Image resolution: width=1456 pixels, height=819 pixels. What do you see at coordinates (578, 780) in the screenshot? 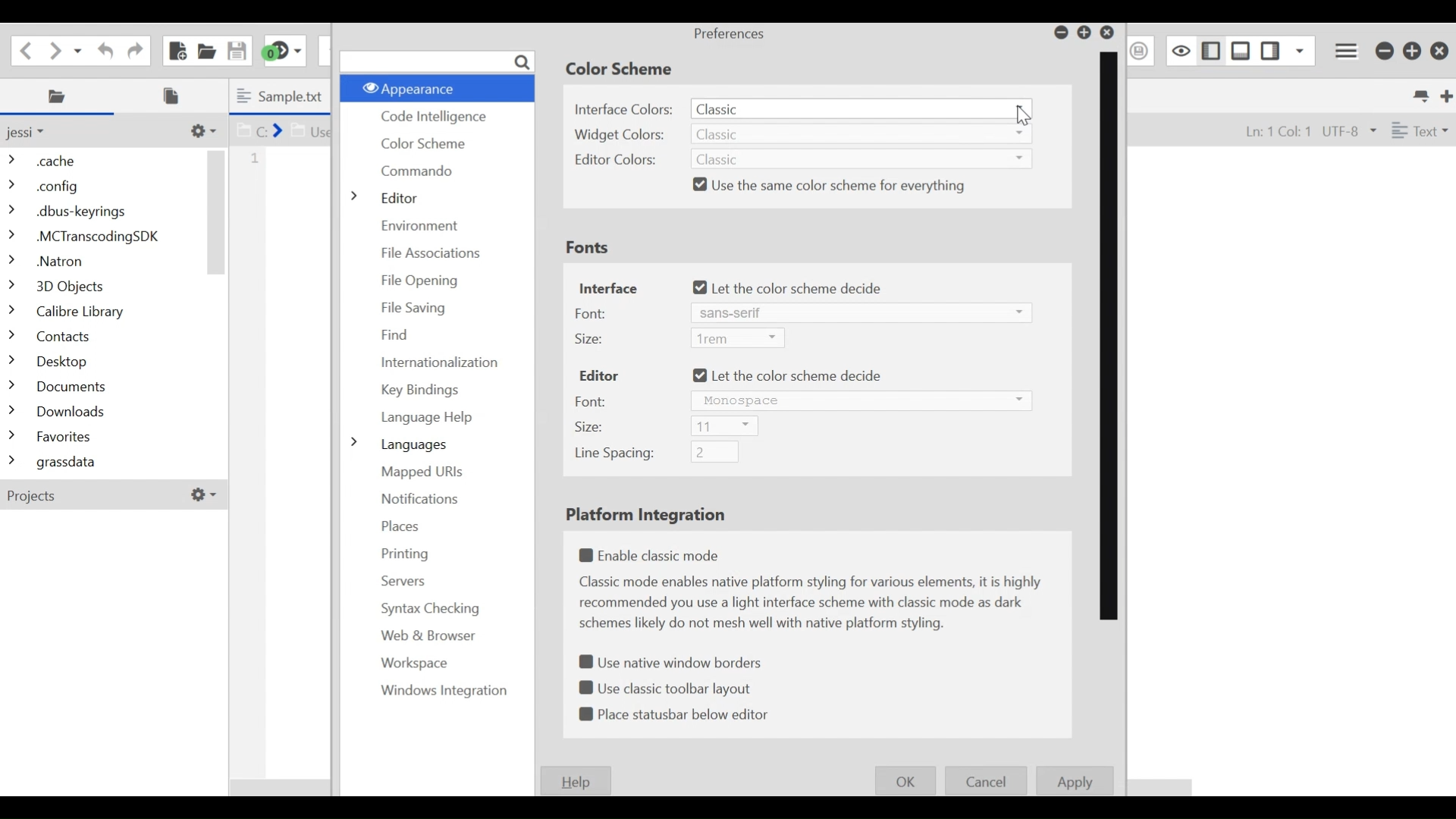
I see `Help` at bounding box center [578, 780].